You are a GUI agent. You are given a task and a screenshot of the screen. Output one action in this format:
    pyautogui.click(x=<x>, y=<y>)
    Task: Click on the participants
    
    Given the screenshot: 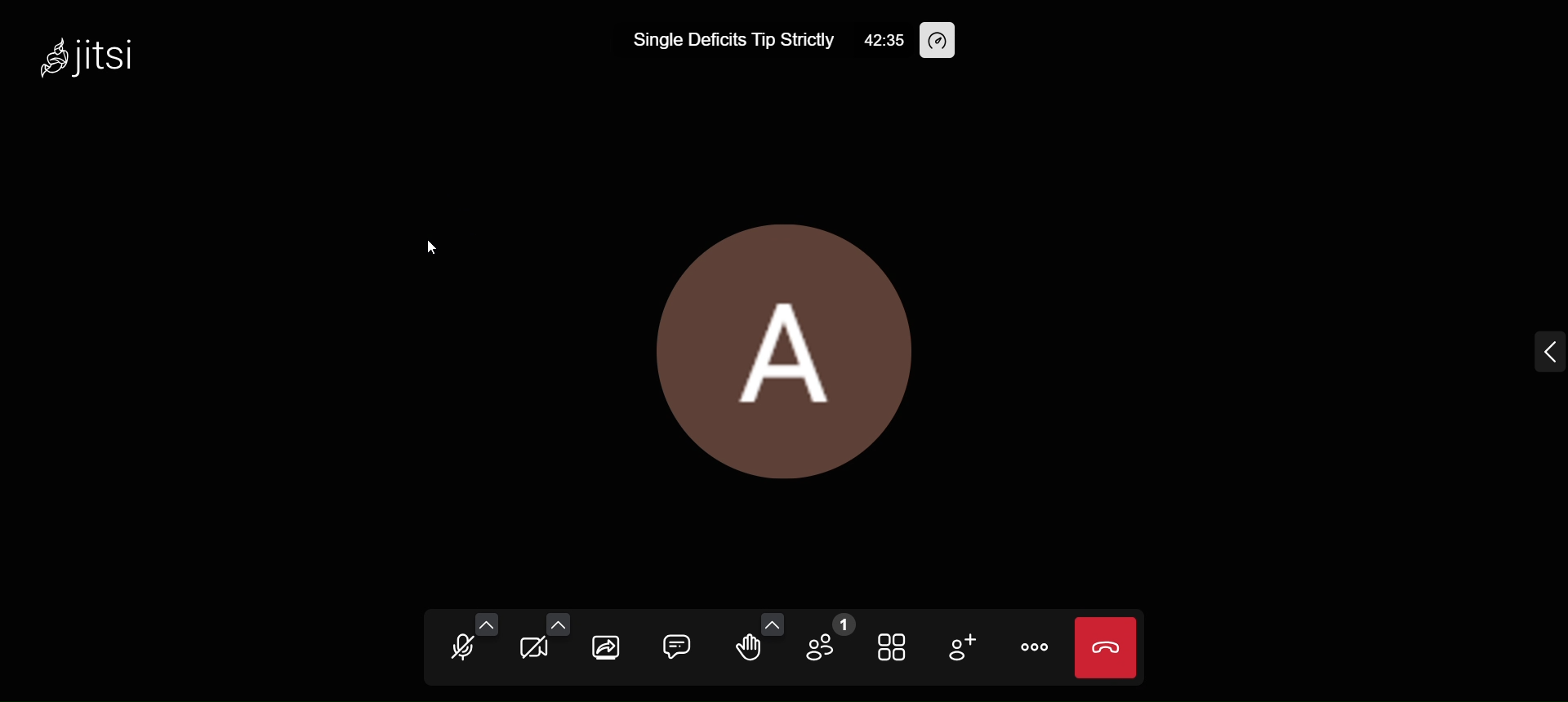 What is the action you would take?
    pyautogui.click(x=830, y=639)
    